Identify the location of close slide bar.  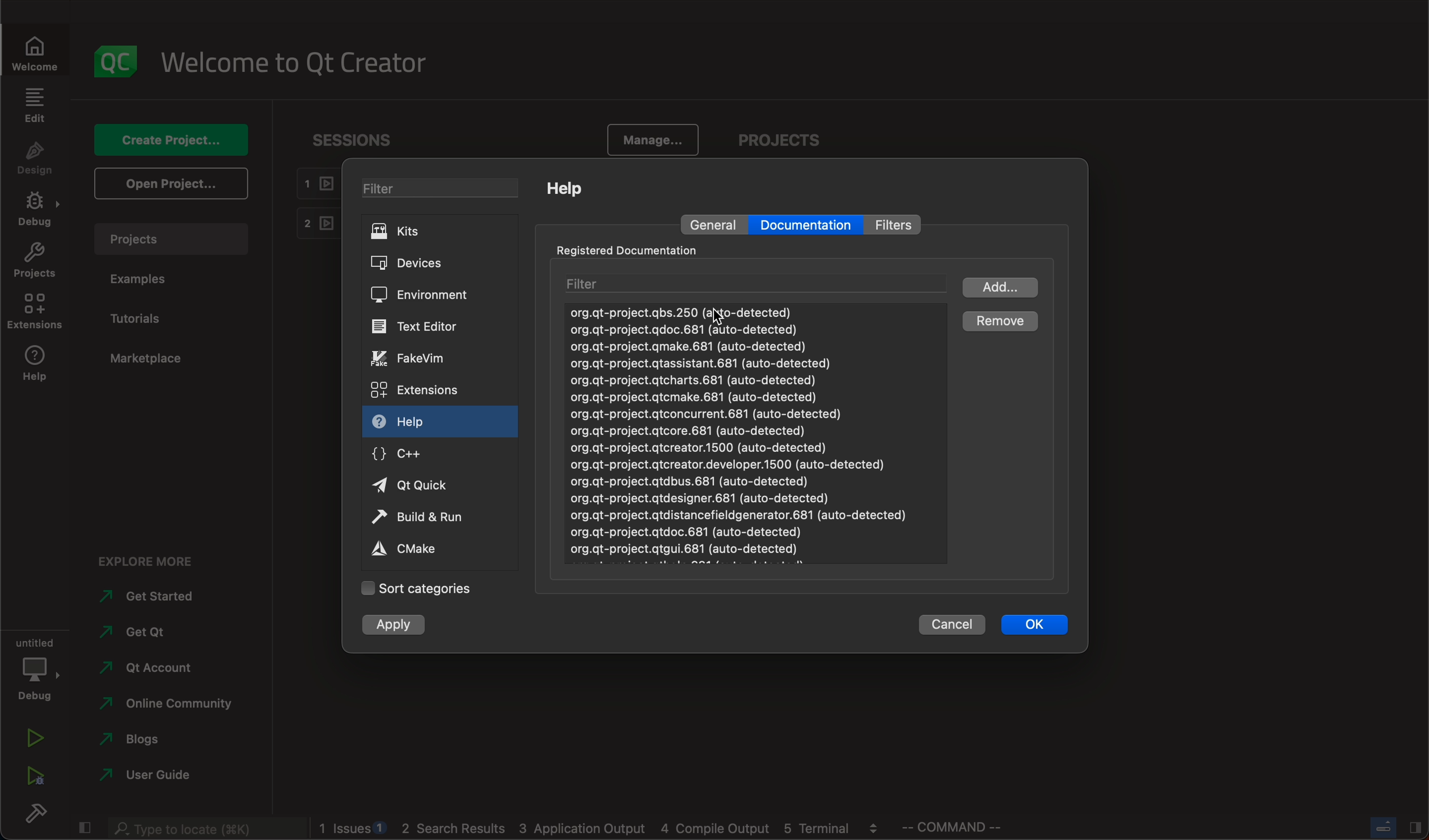
(88, 826).